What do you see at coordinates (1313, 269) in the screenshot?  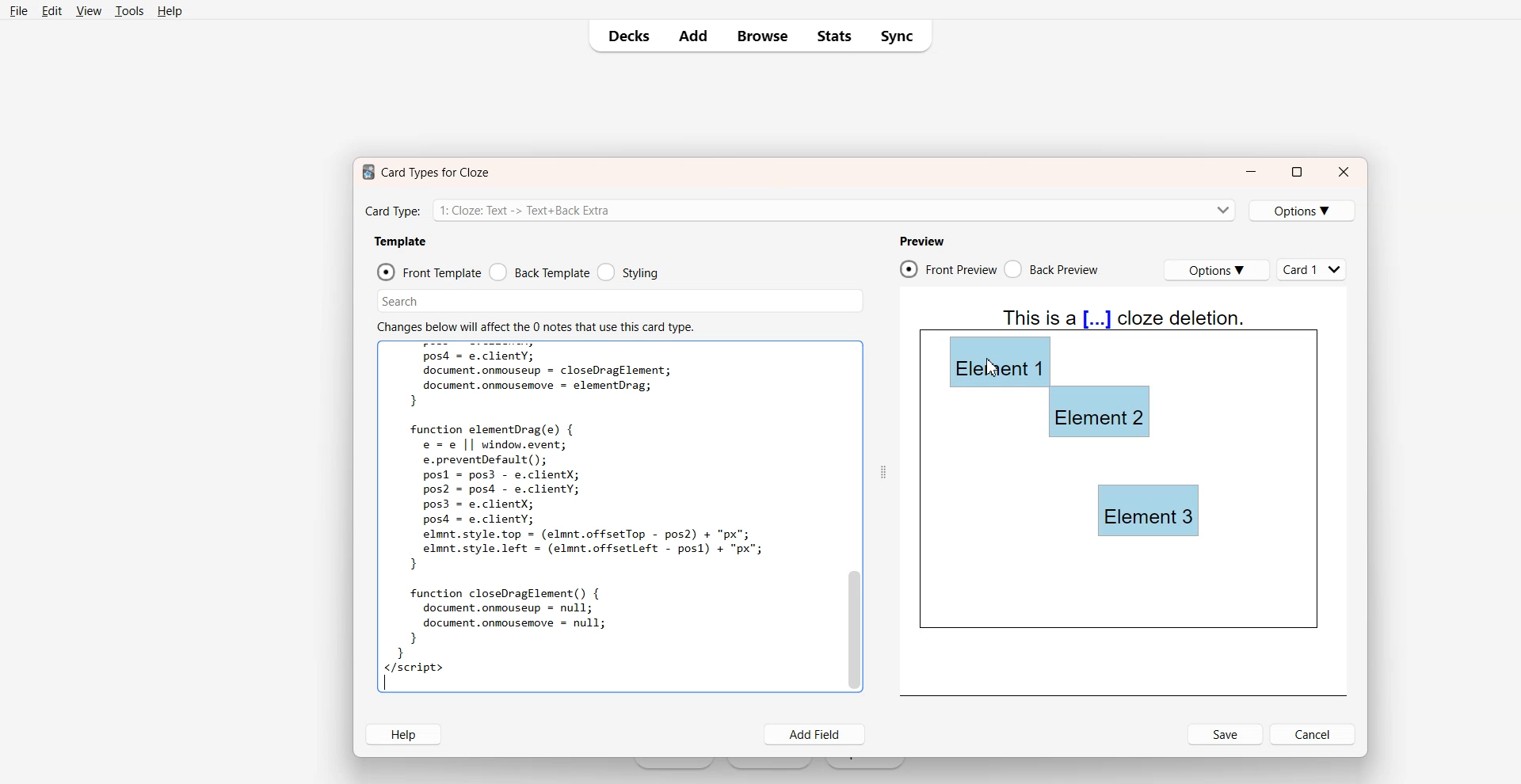 I see `Cards` at bounding box center [1313, 269].